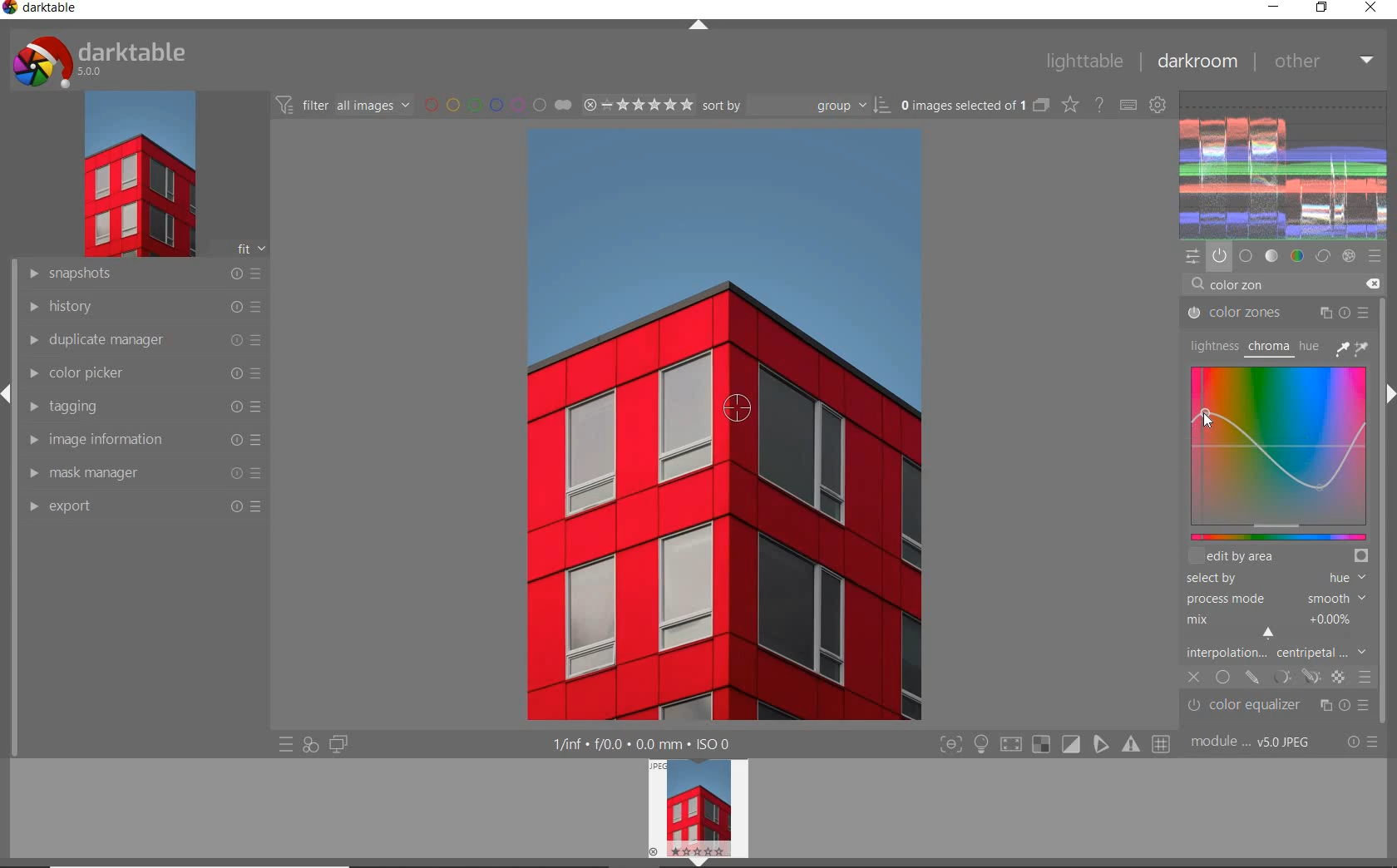  I want to click on reset or presets & preferences, so click(1362, 743).